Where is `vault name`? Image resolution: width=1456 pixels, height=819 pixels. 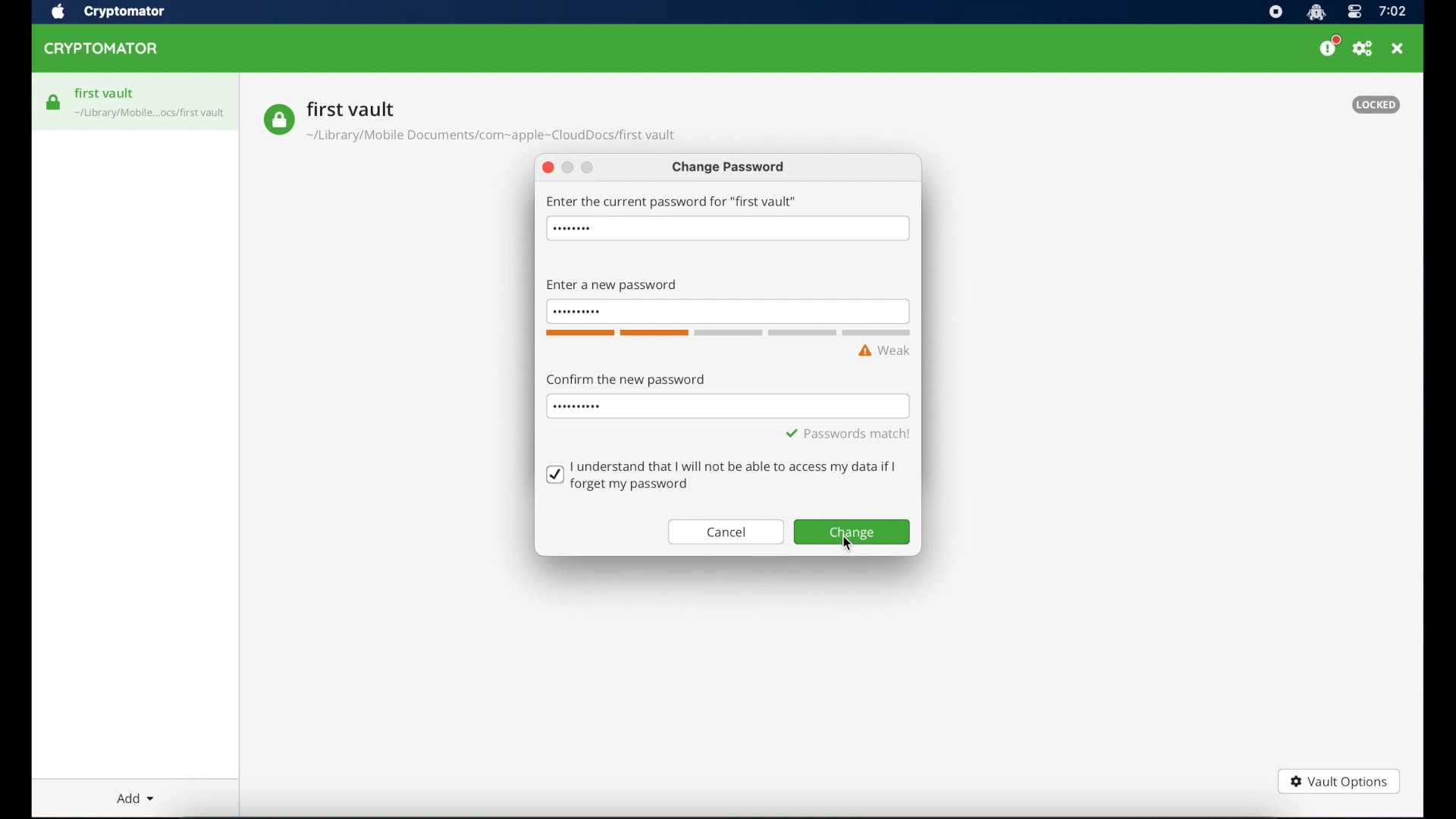
vault name is located at coordinates (351, 108).